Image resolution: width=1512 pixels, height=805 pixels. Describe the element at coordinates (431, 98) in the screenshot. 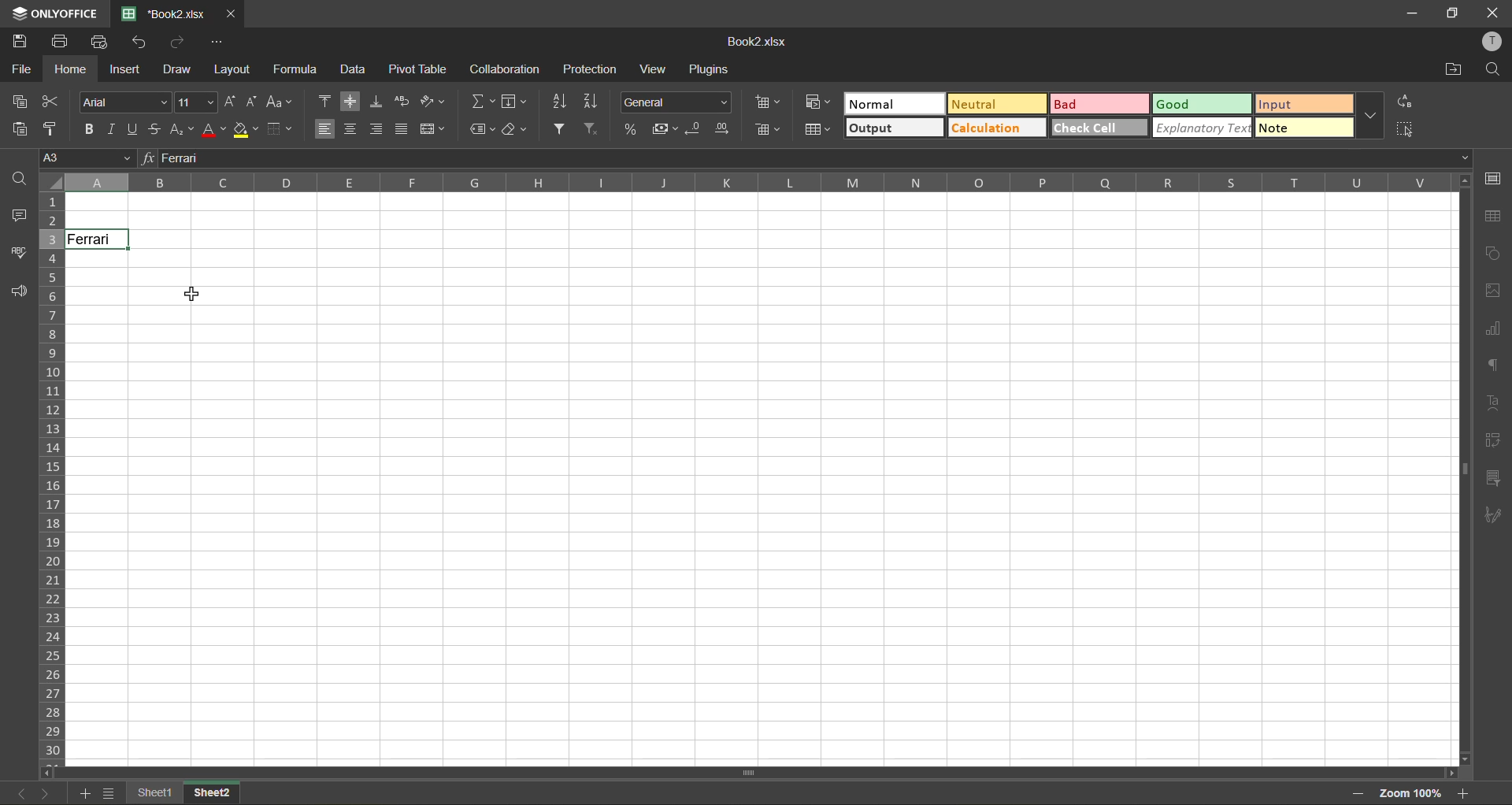

I see `orientation` at that location.